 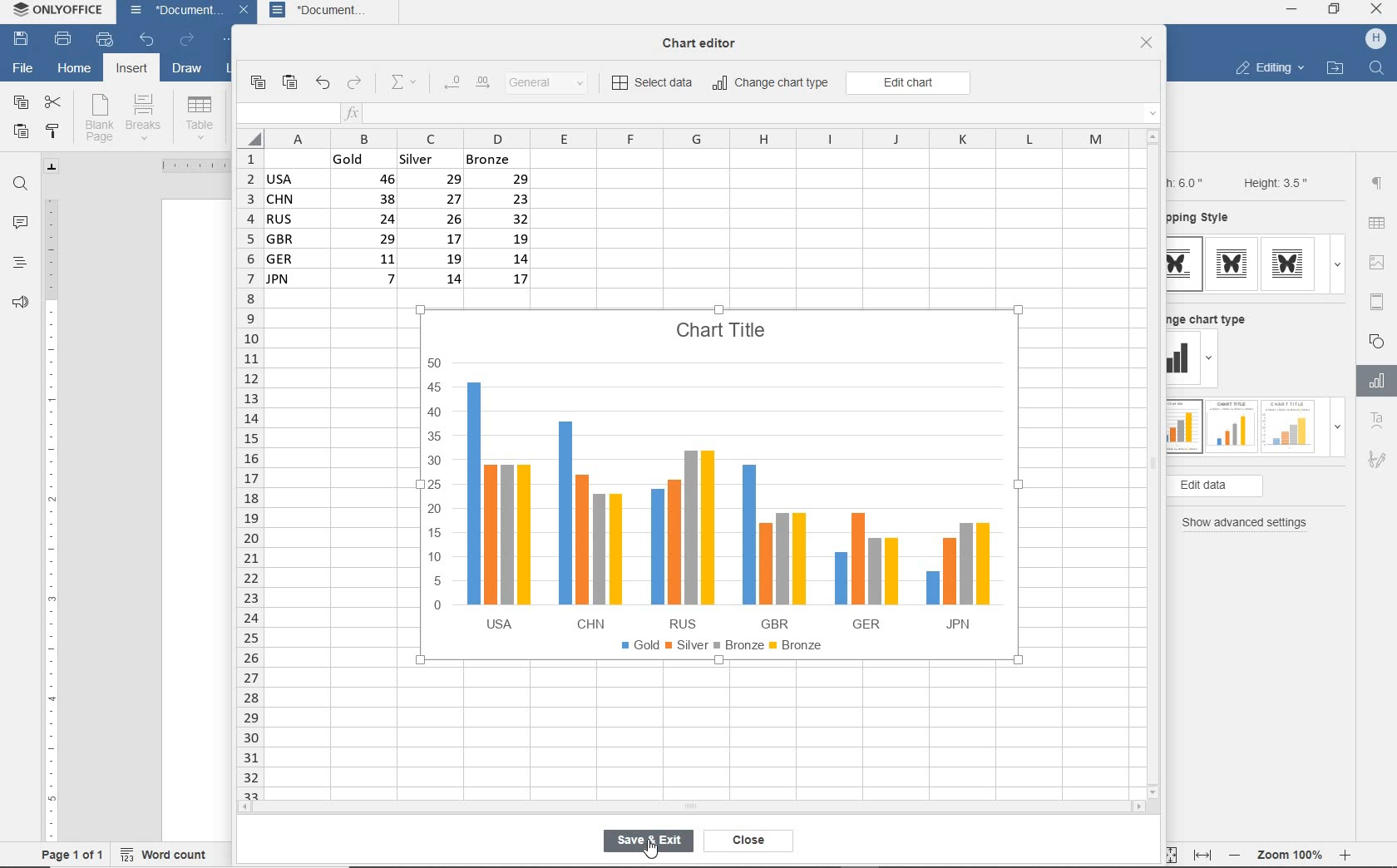 I want to click on change type, so click(x=1183, y=359).